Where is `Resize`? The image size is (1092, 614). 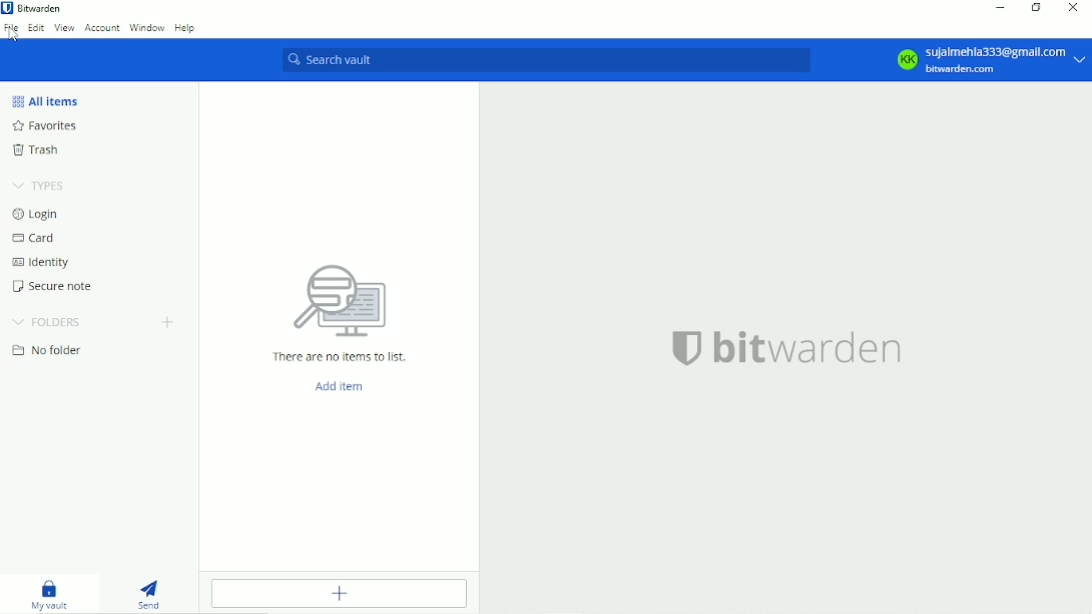 Resize is located at coordinates (1037, 8).